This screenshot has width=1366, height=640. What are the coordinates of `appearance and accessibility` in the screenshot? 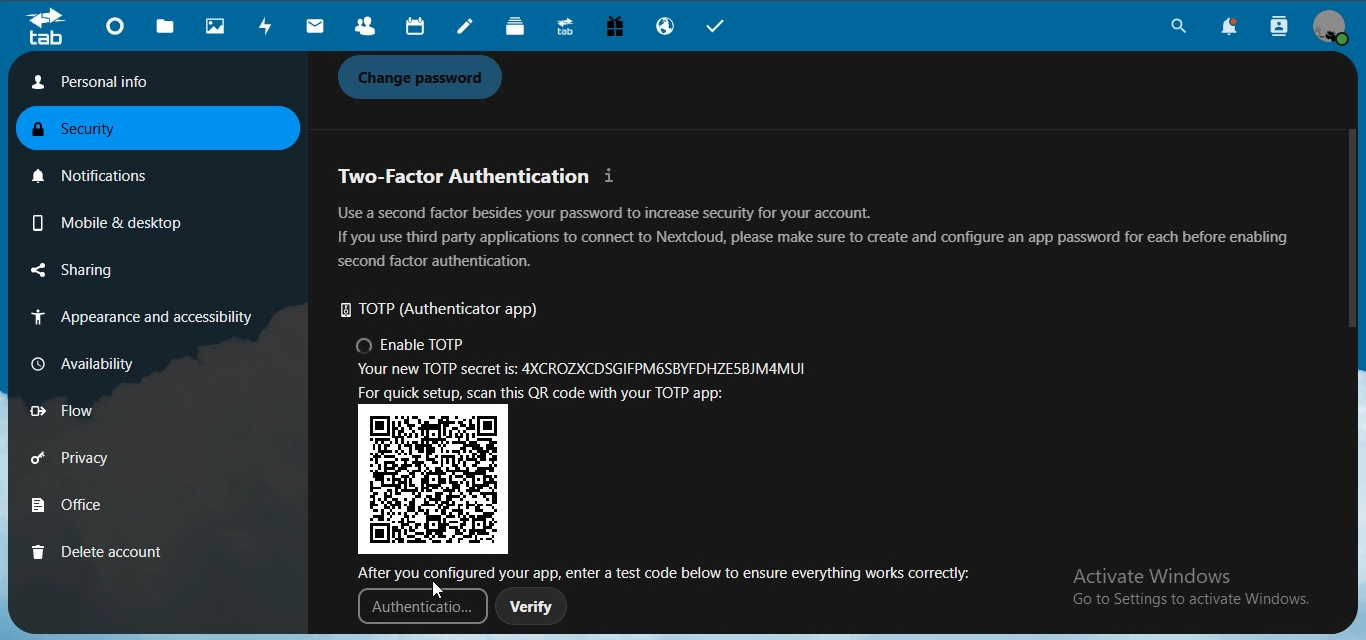 It's located at (138, 319).